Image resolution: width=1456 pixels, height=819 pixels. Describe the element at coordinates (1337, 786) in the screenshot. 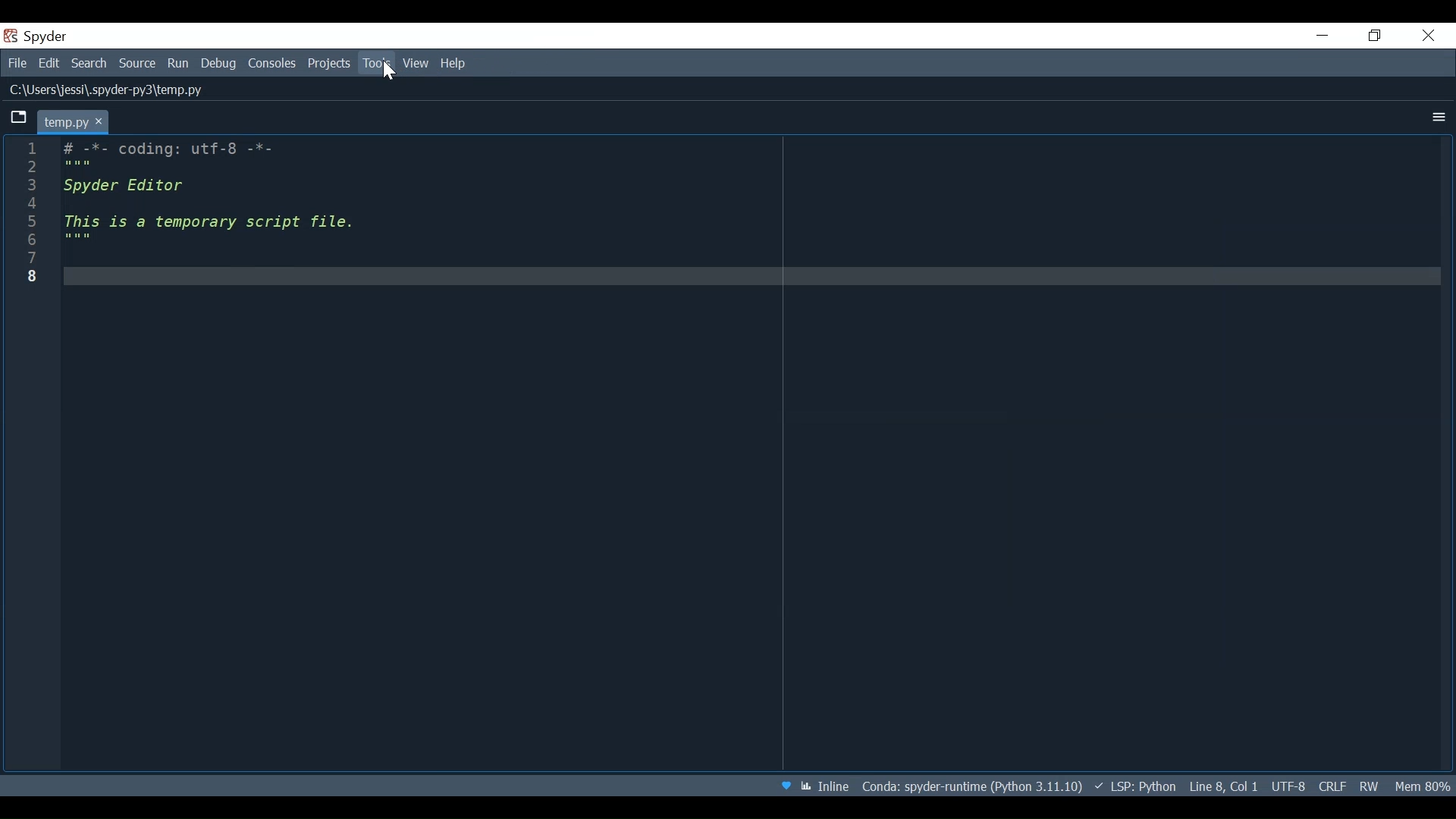

I see `File EQL Status` at that location.